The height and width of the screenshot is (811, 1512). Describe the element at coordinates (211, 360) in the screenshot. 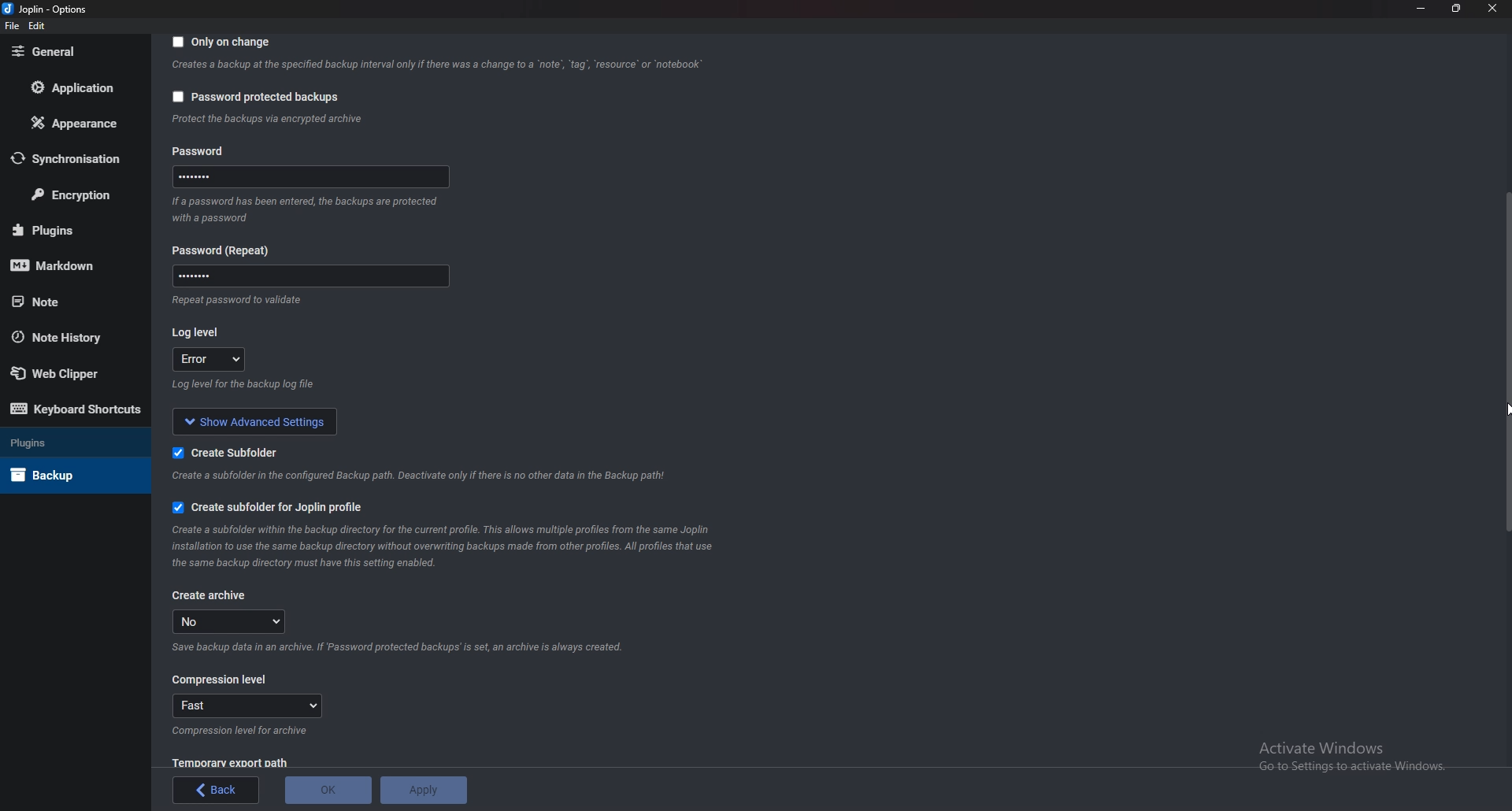

I see `error` at that location.